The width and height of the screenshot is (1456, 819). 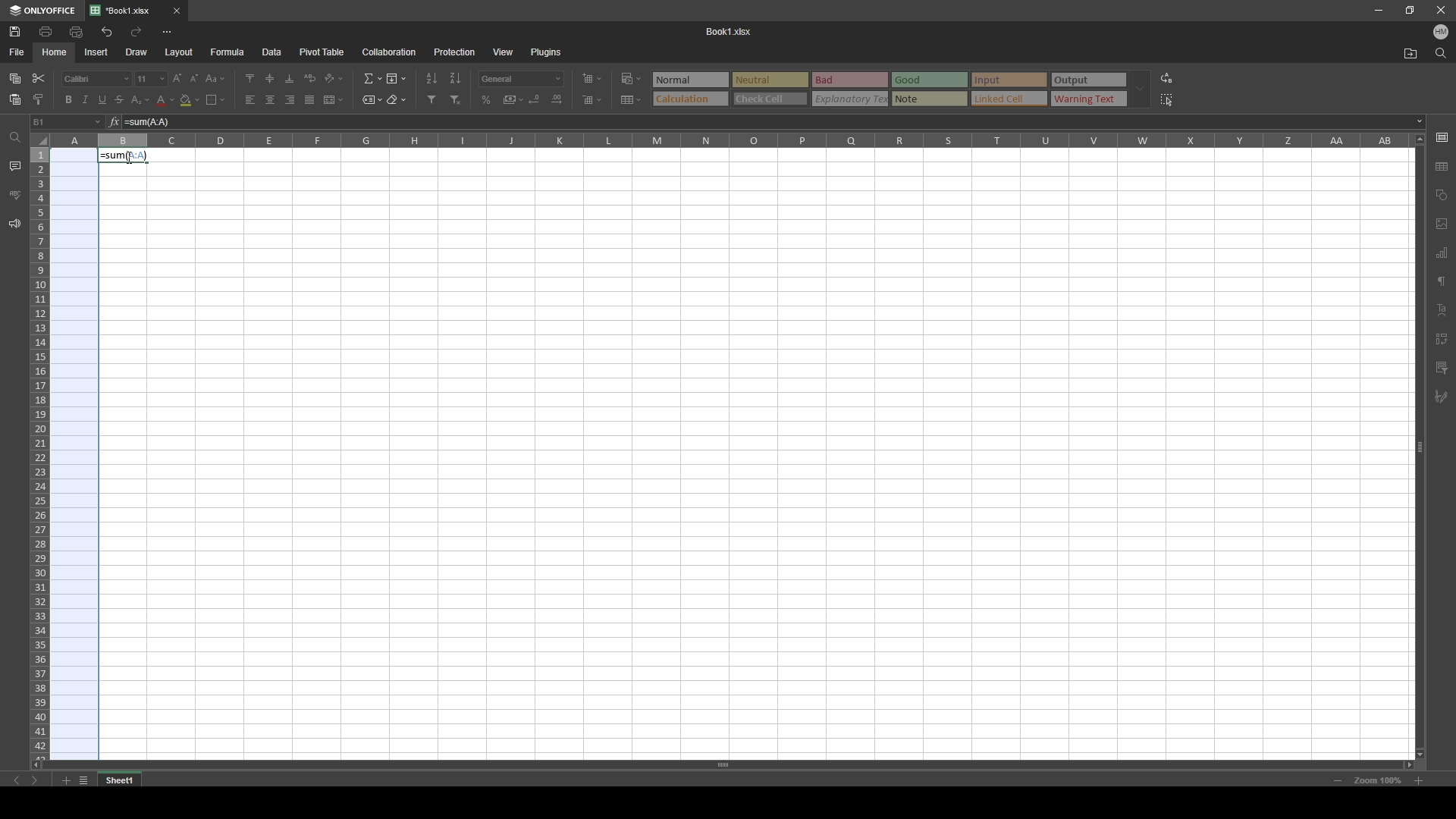 I want to click on change case, so click(x=216, y=78).